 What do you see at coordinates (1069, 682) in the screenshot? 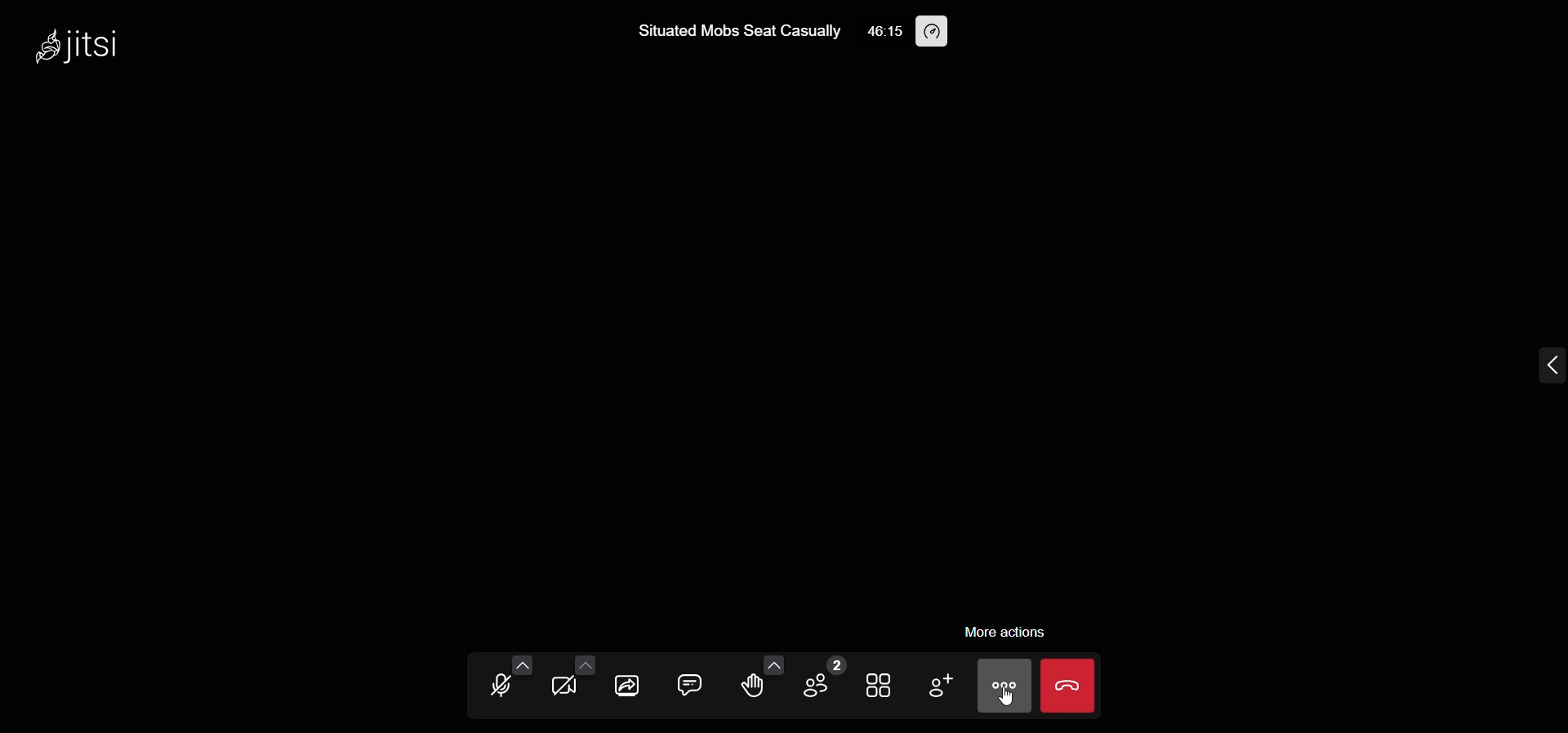
I see `leave meeting` at bounding box center [1069, 682].